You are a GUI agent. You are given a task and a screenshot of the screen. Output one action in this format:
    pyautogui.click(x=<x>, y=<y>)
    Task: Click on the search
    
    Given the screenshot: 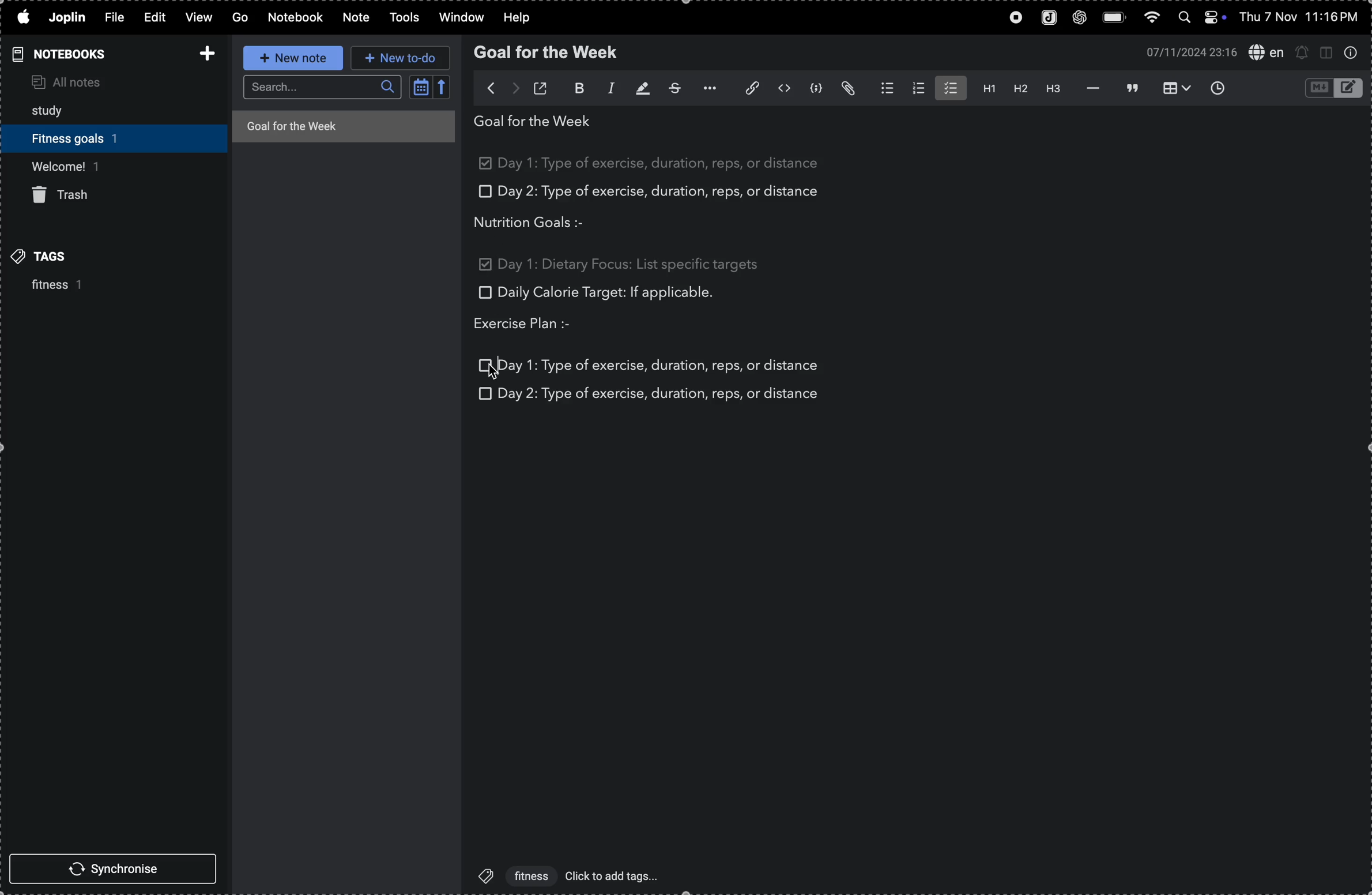 What is the action you would take?
    pyautogui.click(x=322, y=88)
    